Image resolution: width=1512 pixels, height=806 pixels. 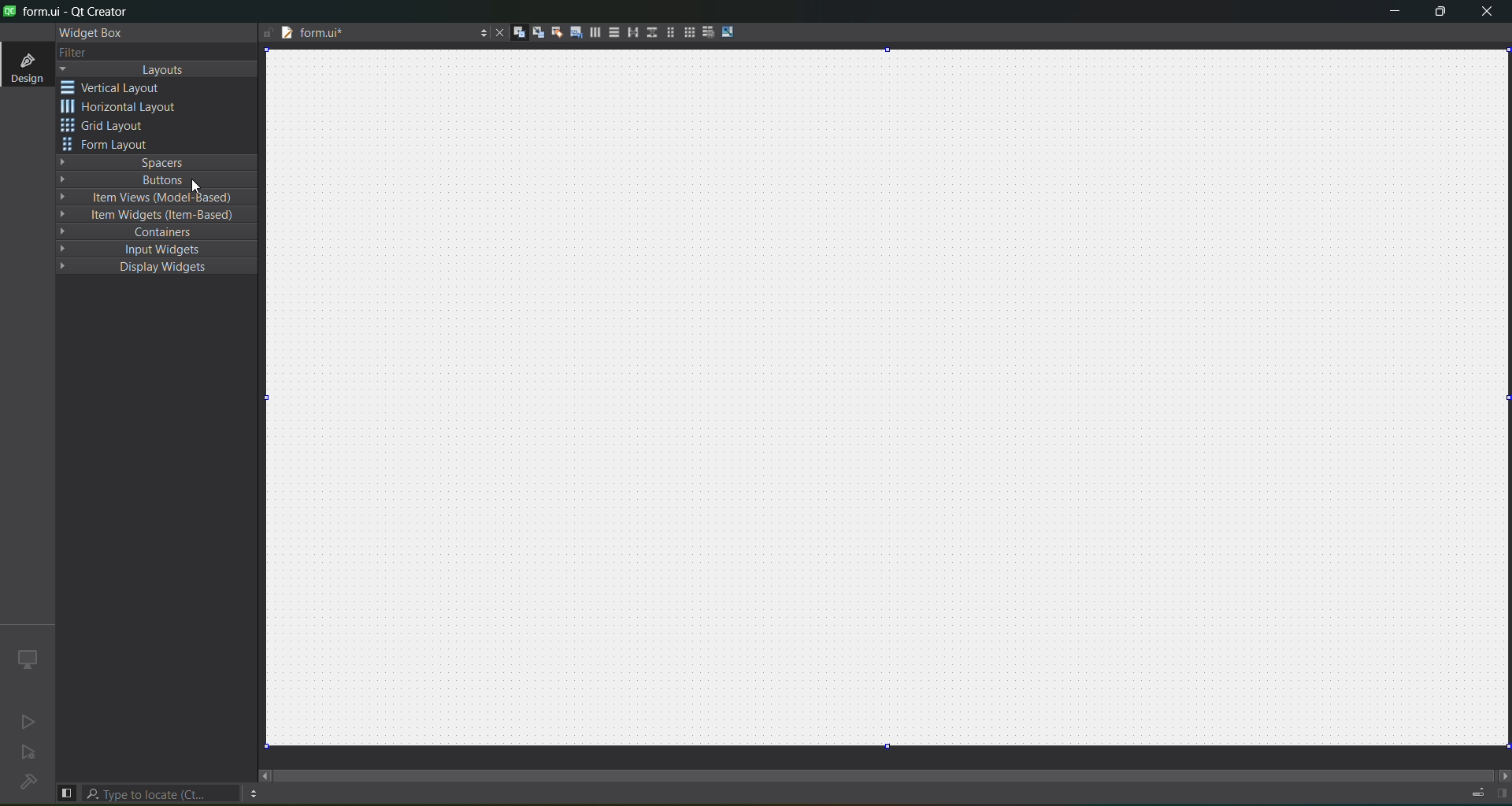 I want to click on layout, so click(x=160, y=70).